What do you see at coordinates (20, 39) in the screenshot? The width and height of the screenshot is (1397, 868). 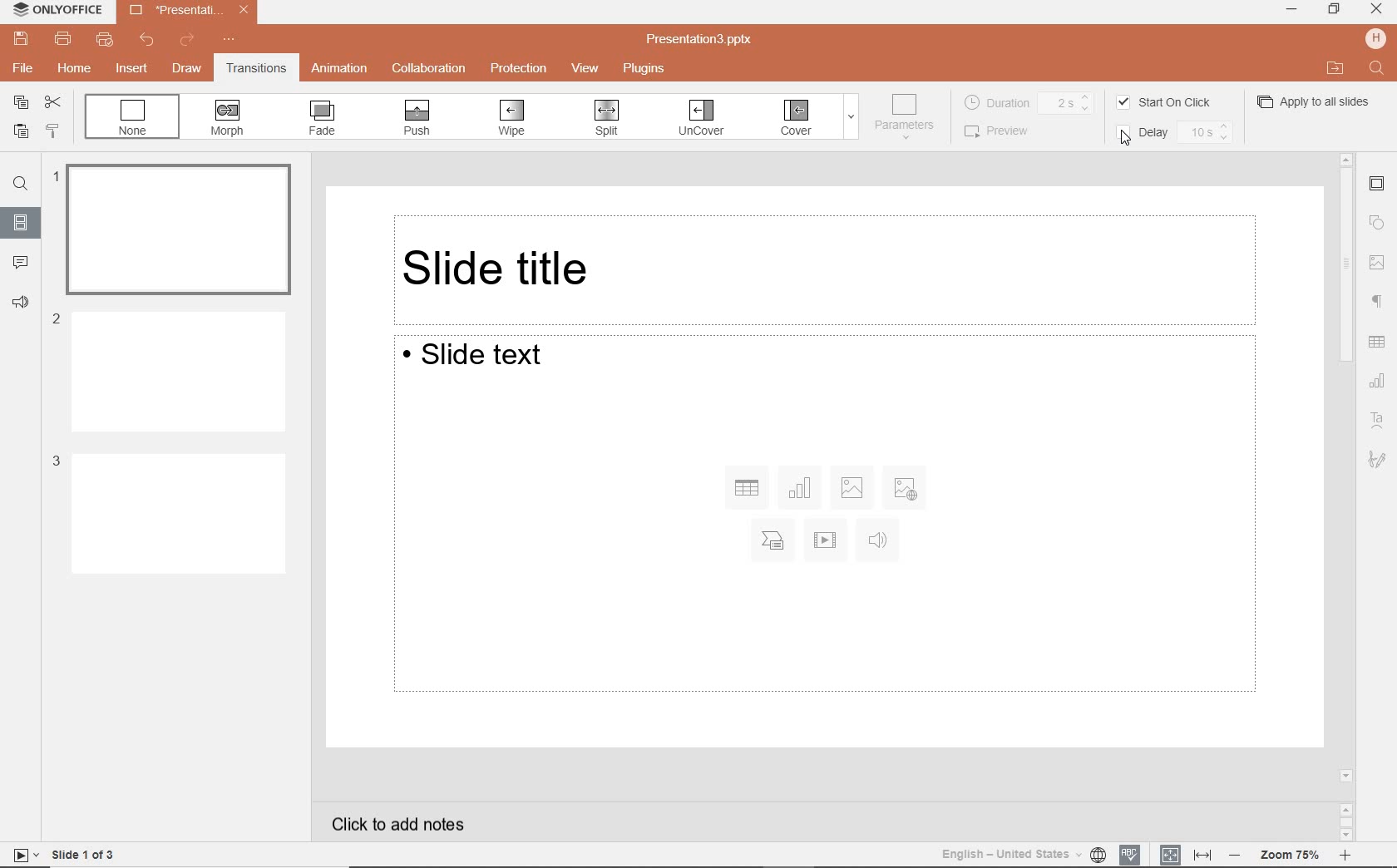 I see `save` at bounding box center [20, 39].